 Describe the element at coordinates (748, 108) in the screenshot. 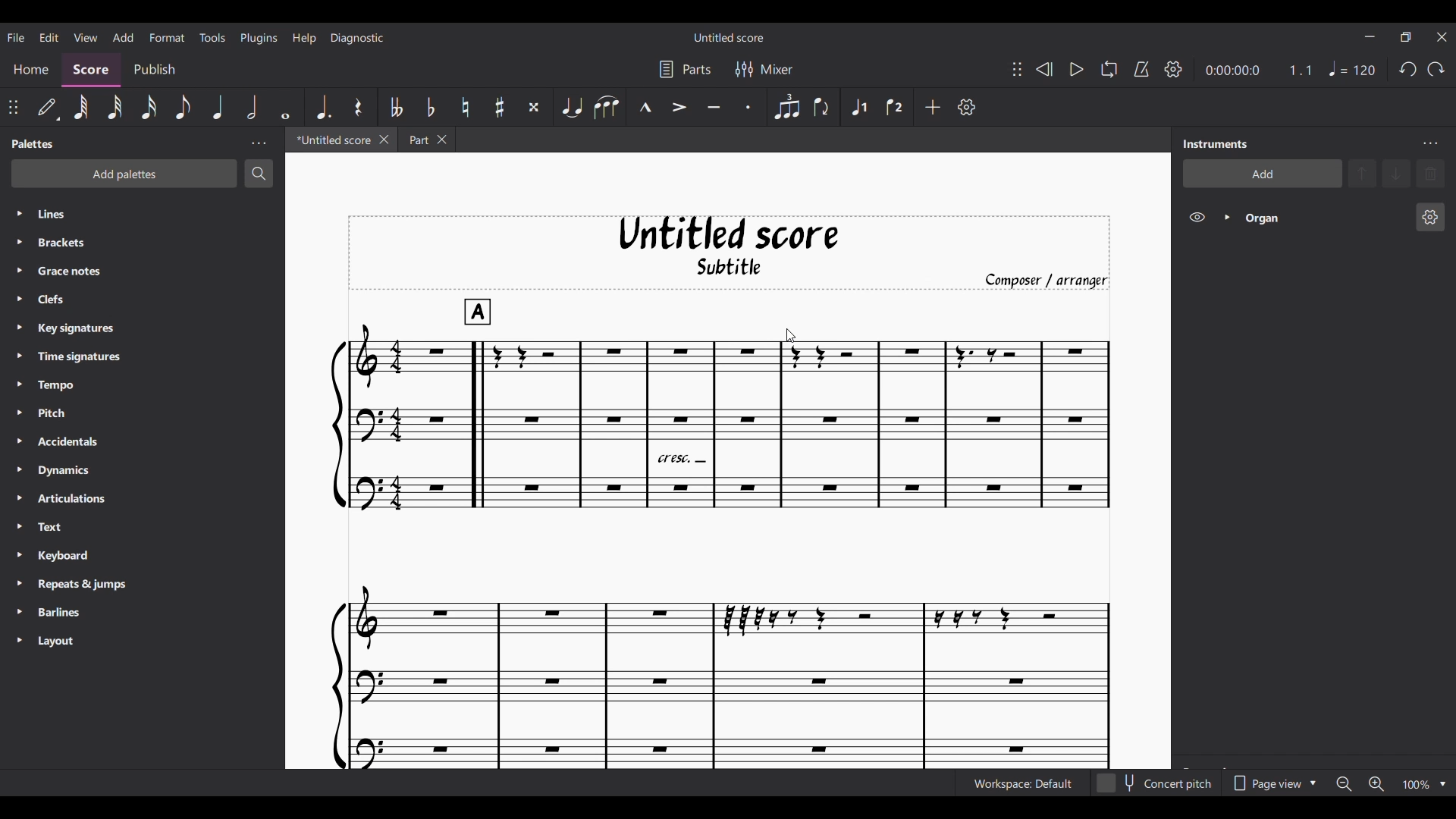

I see `Staccato` at that location.